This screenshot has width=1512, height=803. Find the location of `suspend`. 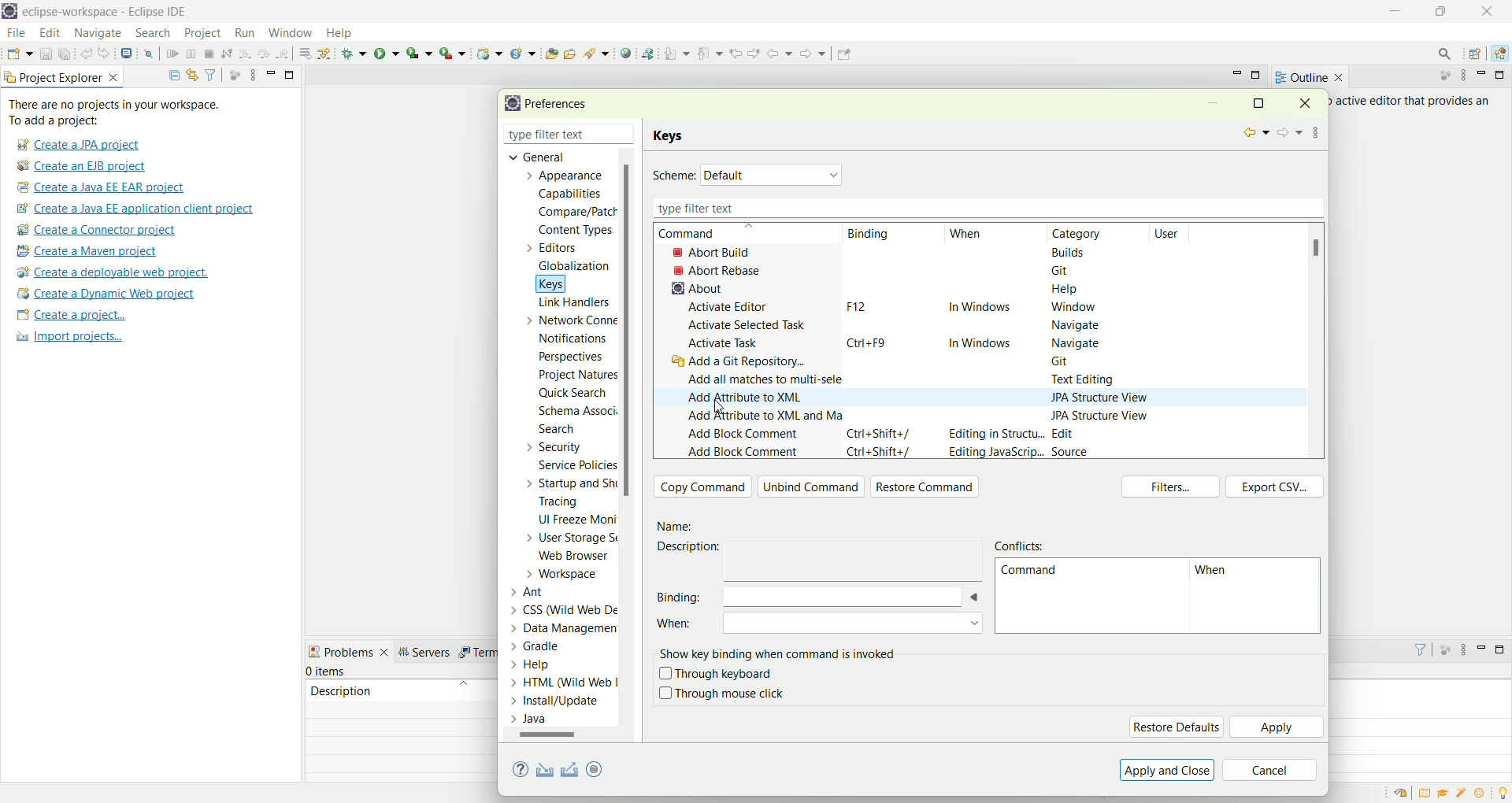

suspend is located at coordinates (191, 55).